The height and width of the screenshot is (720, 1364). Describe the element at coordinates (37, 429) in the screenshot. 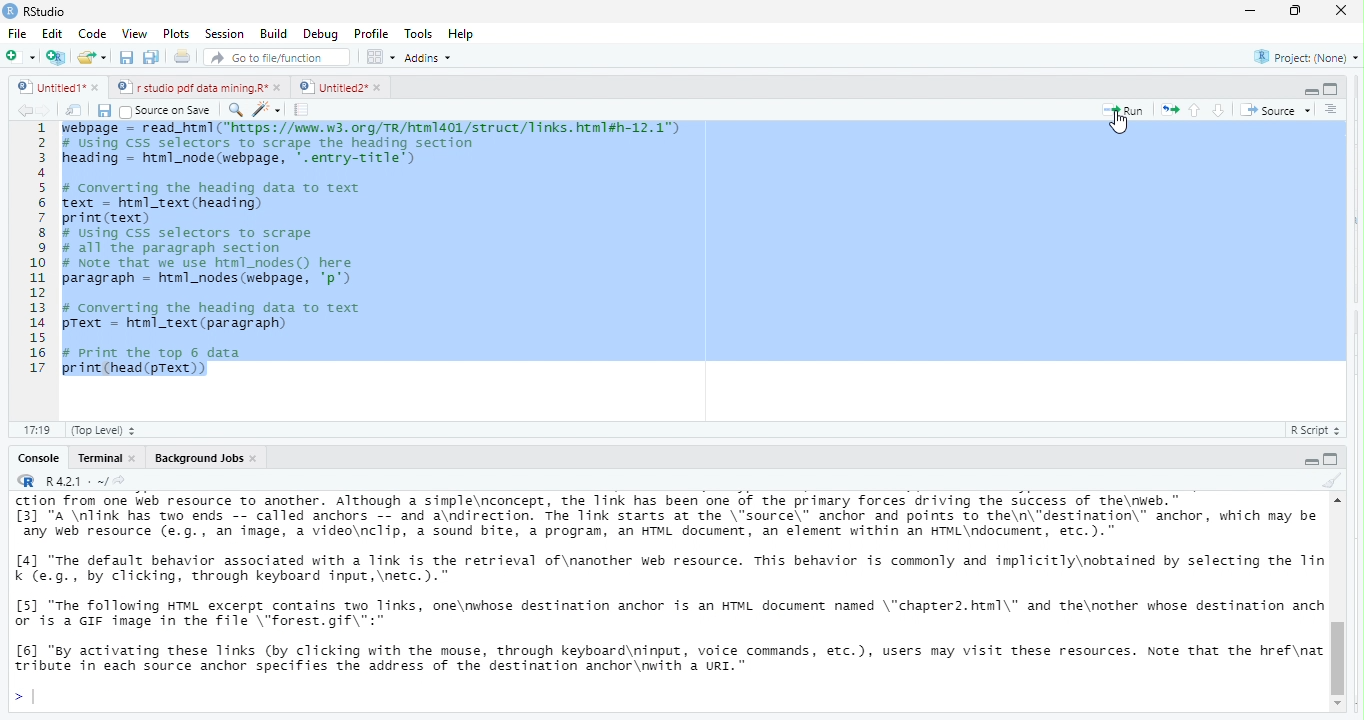

I see `19:19` at that location.